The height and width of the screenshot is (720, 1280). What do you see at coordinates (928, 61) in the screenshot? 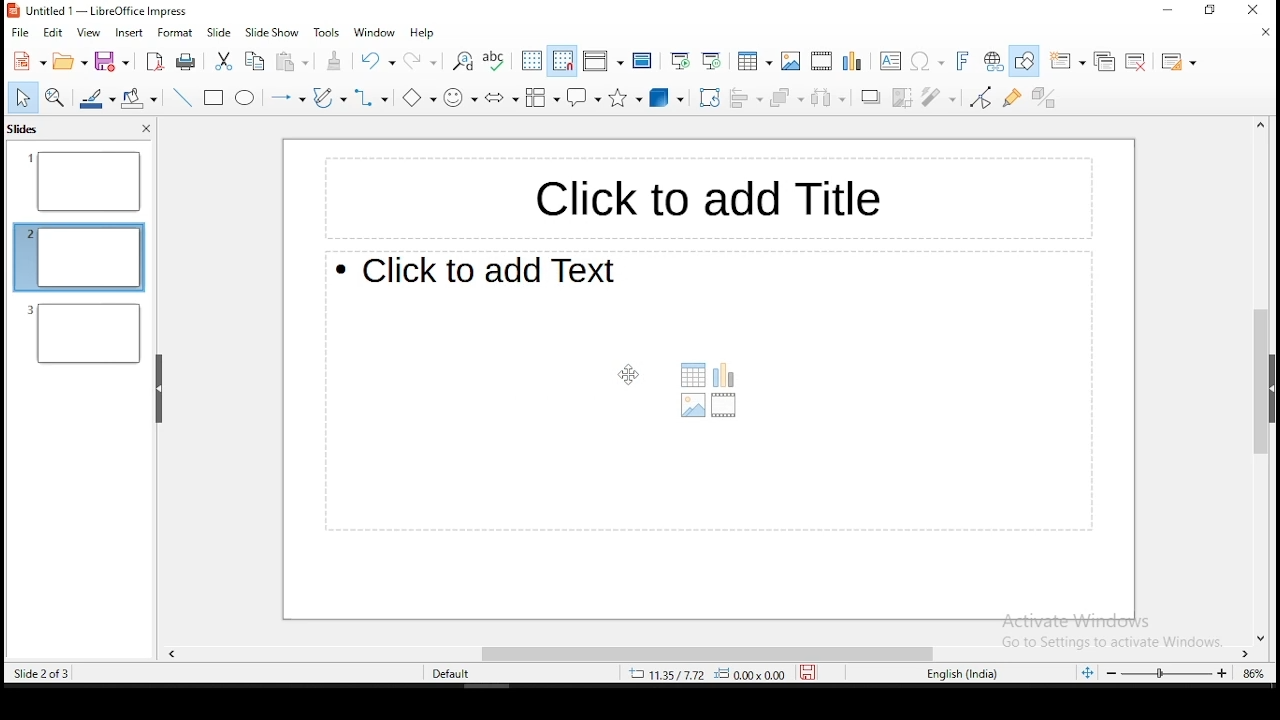
I see `insert special characters` at bounding box center [928, 61].